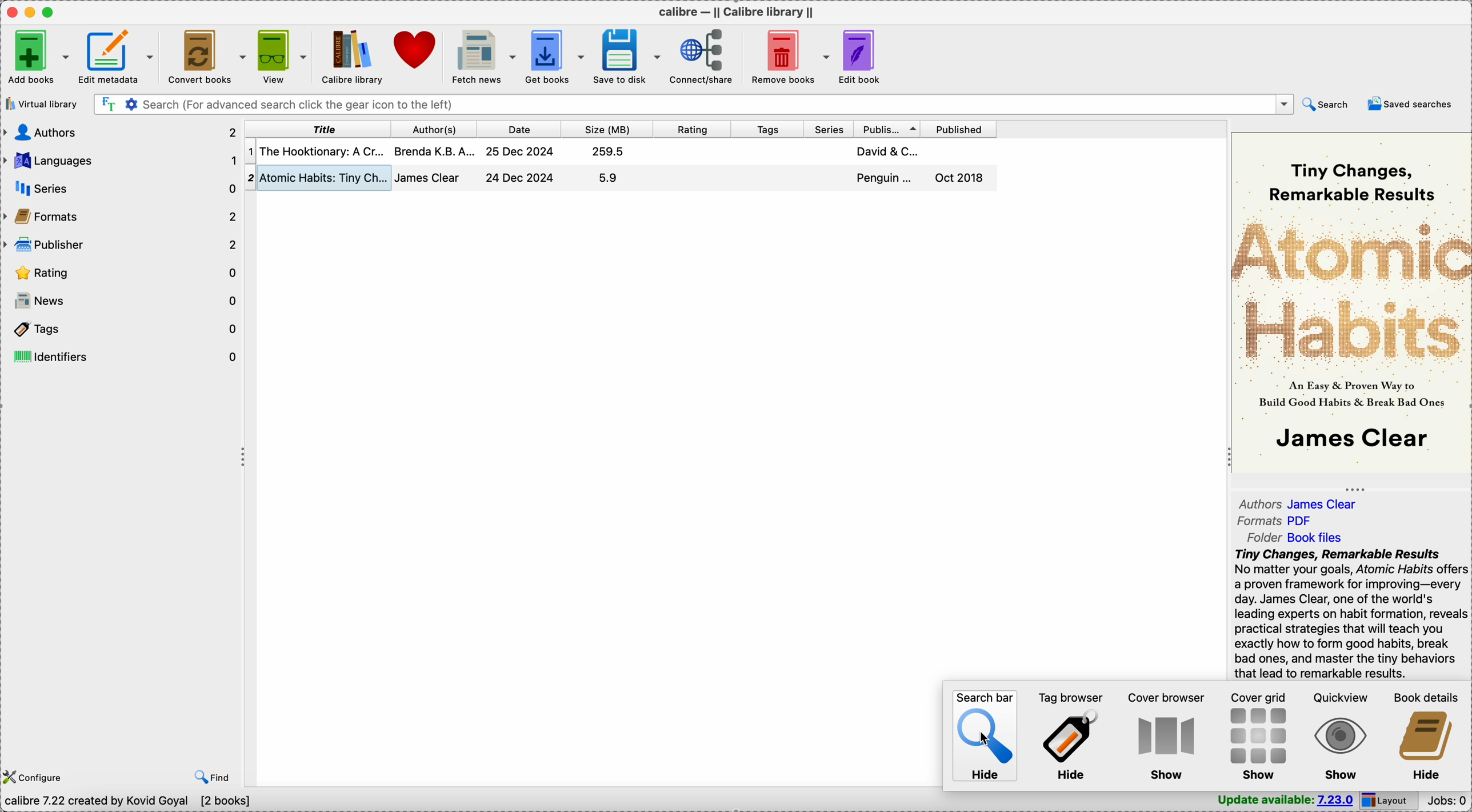  What do you see at coordinates (122, 161) in the screenshot?
I see `languages` at bounding box center [122, 161].